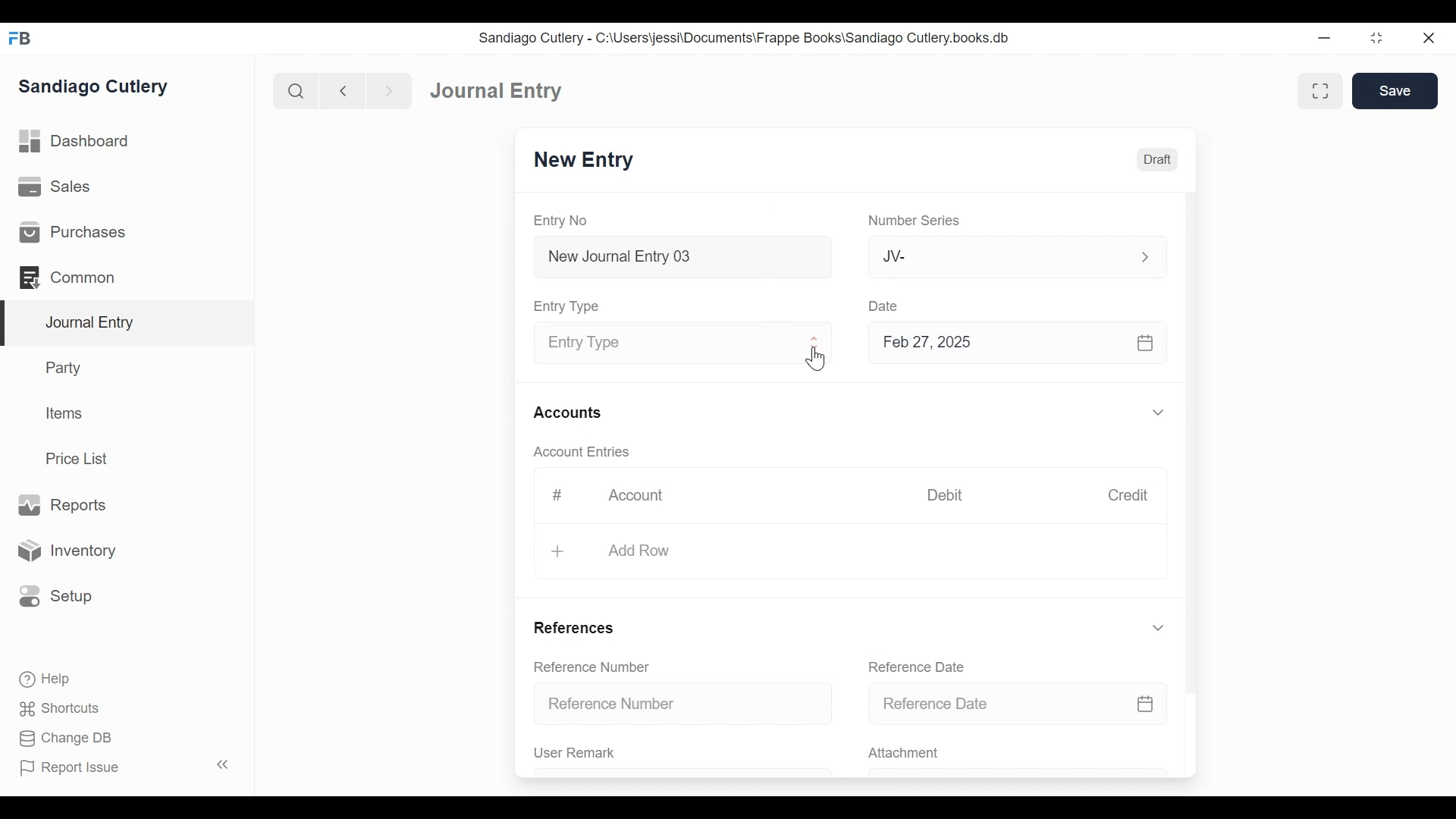 The width and height of the screenshot is (1456, 819). I want to click on Expand, so click(1160, 412).